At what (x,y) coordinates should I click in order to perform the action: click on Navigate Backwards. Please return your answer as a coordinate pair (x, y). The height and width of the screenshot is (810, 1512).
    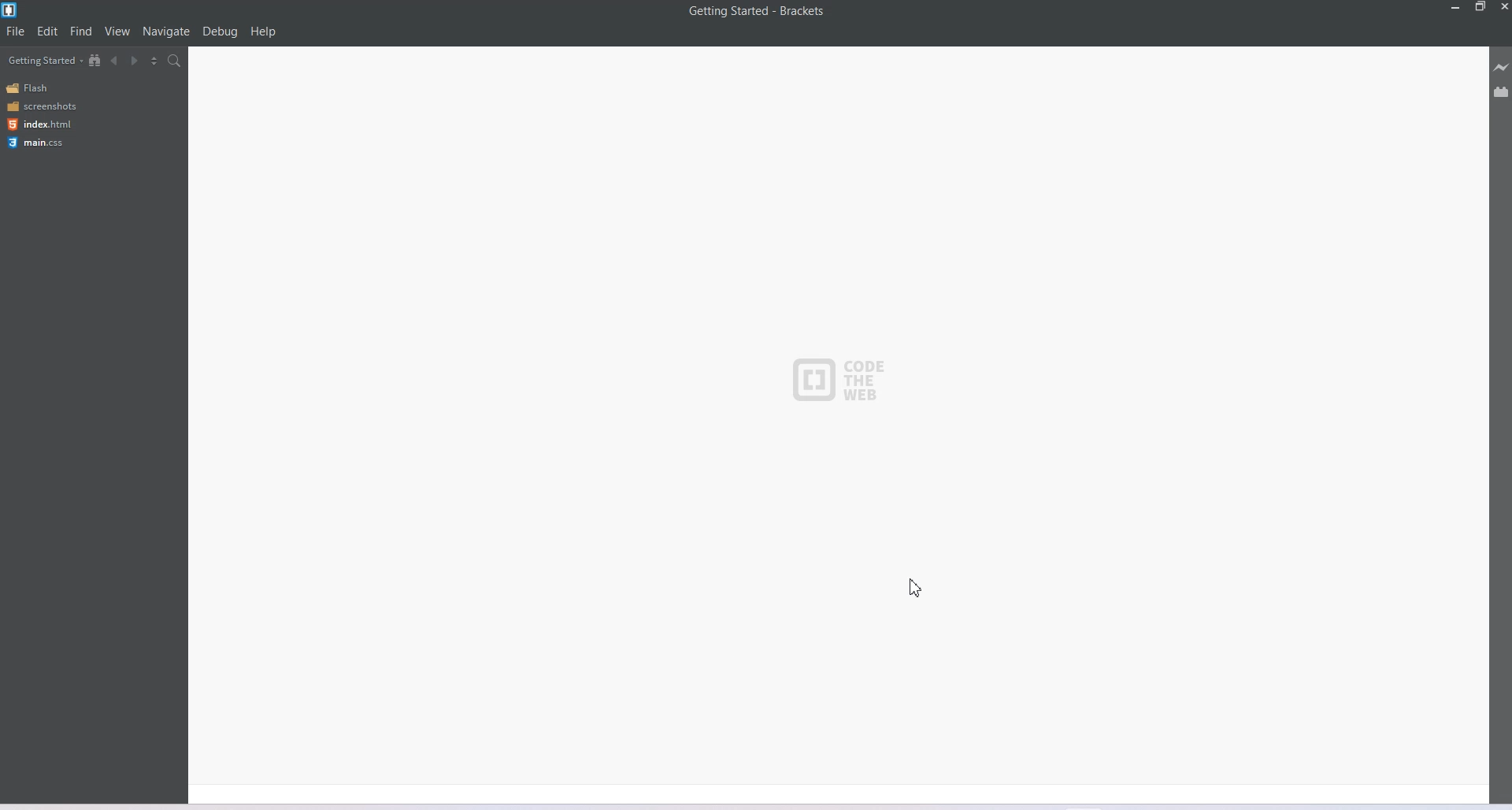
    Looking at the image, I should click on (115, 61).